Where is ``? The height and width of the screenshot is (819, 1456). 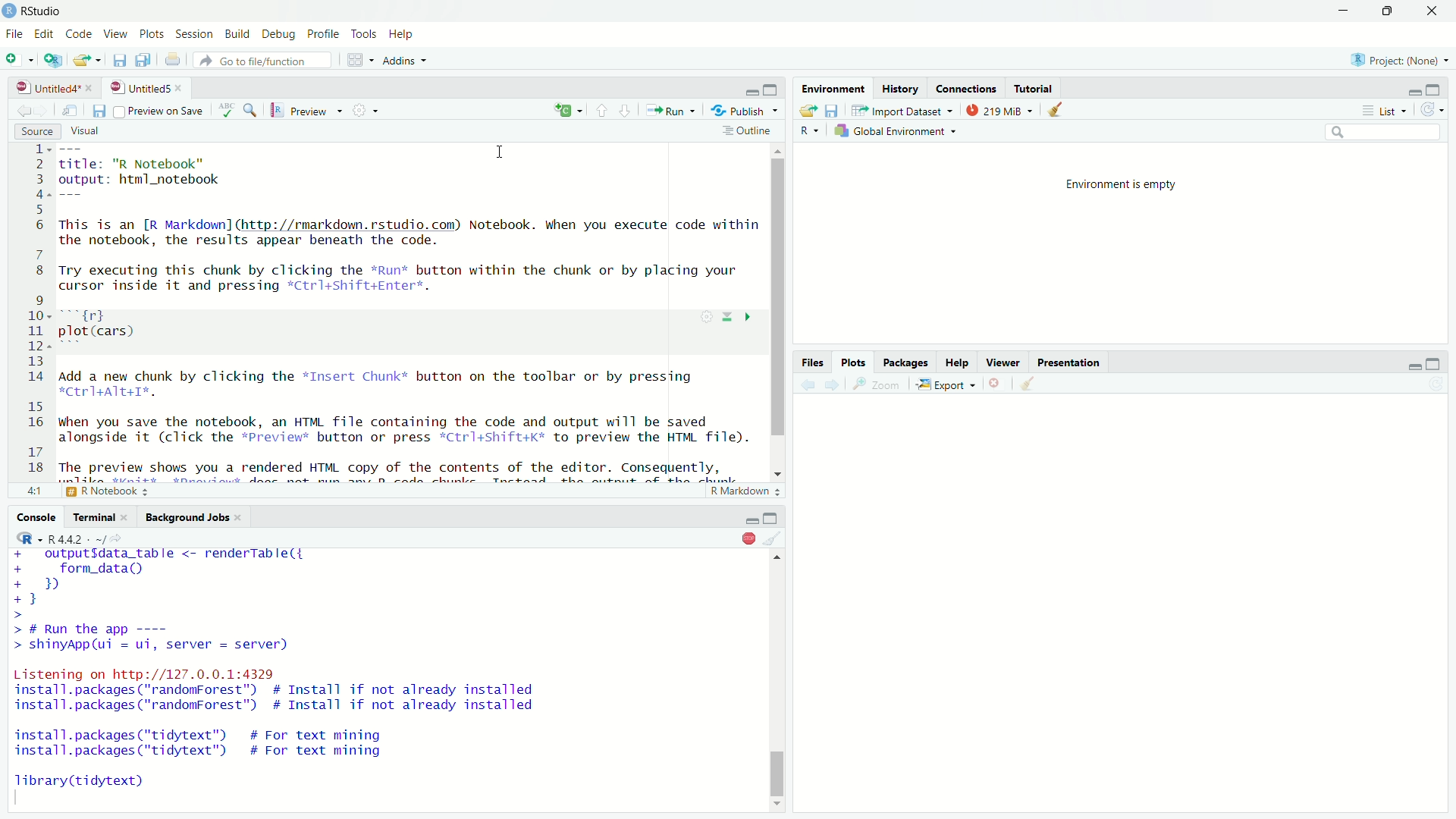  is located at coordinates (751, 516).